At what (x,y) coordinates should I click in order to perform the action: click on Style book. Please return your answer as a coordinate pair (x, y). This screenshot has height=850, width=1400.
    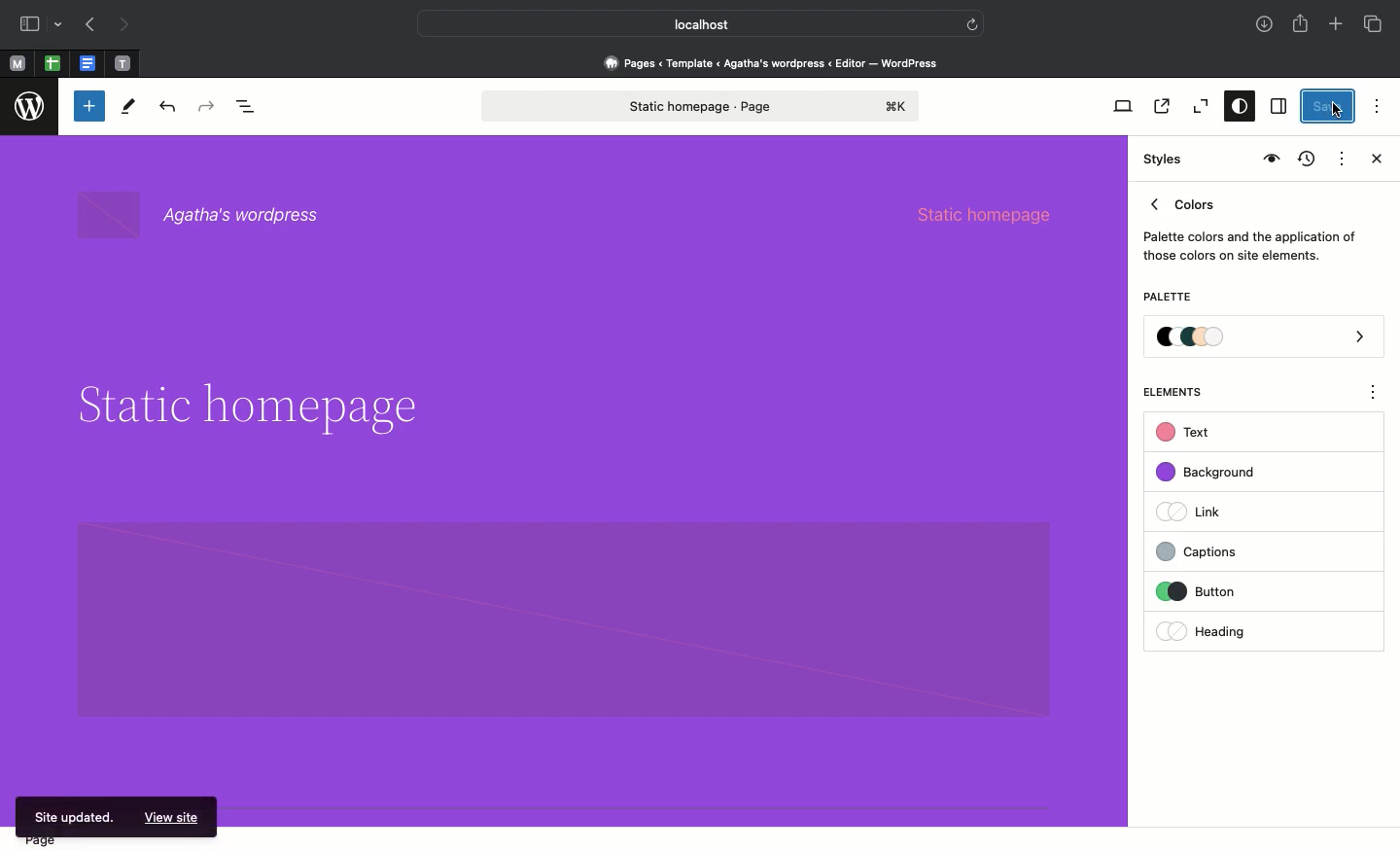
    Looking at the image, I should click on (1269, 159).